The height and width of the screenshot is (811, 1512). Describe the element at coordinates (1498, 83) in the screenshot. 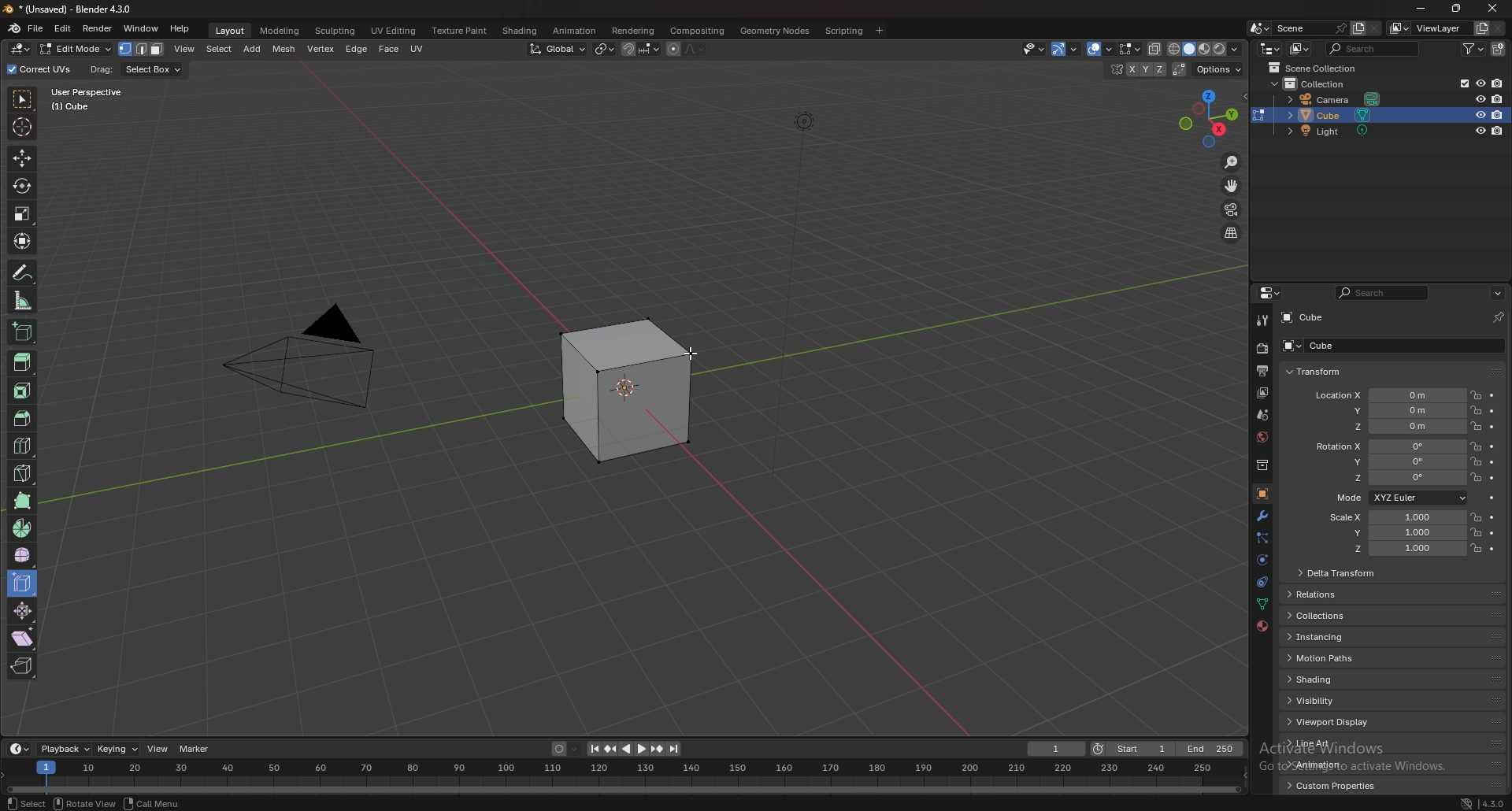

I see `disable in render` at that location.